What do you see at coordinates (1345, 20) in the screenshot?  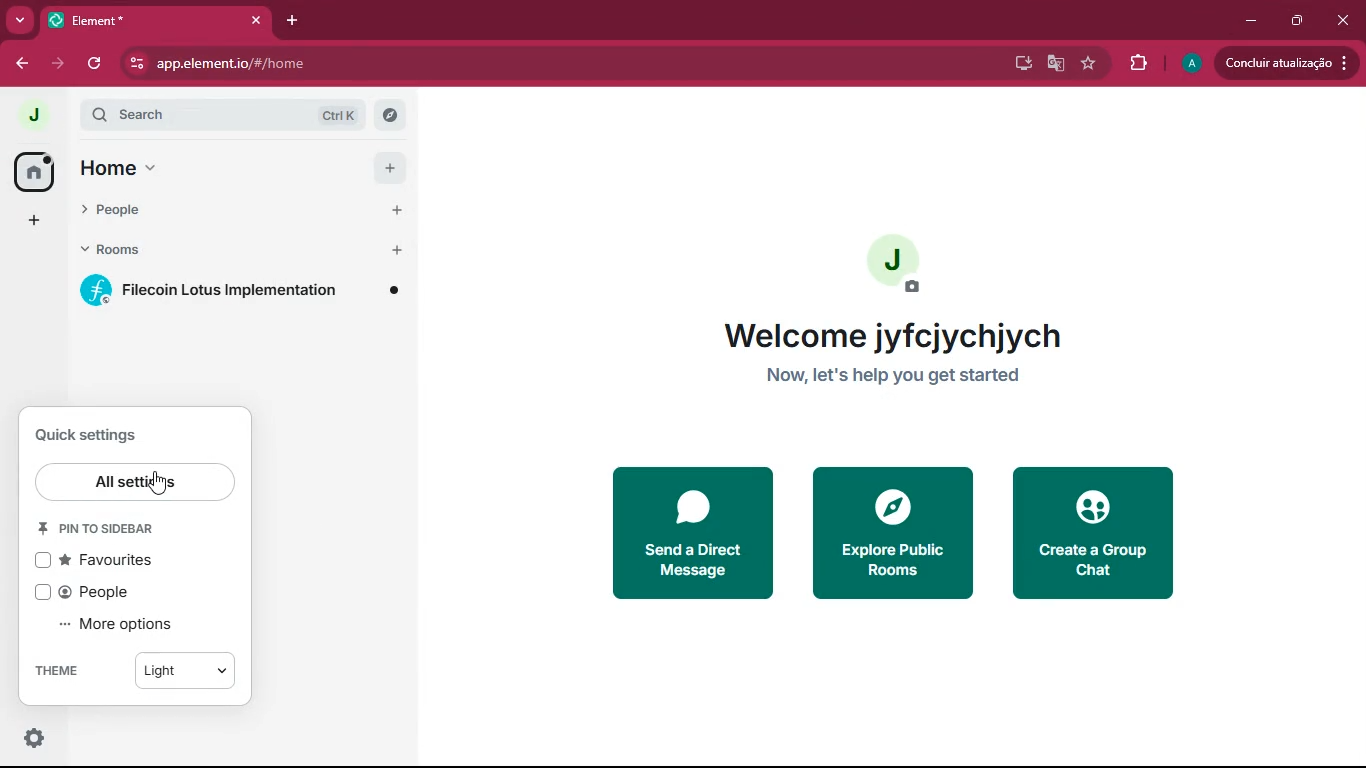 I see `close` at bounding box center [1345, 20].